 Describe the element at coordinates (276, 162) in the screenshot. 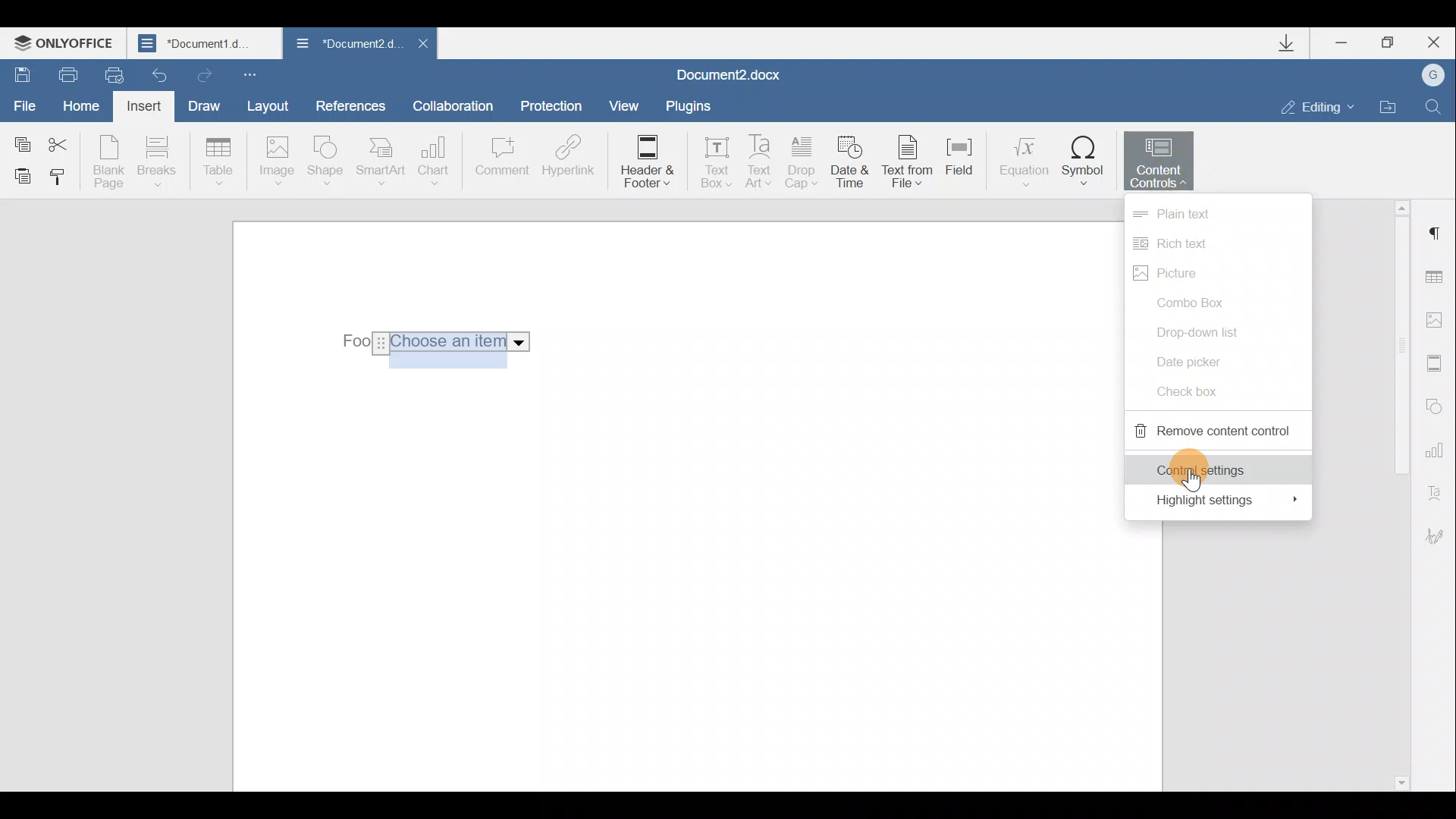

I see `Image` at that location.